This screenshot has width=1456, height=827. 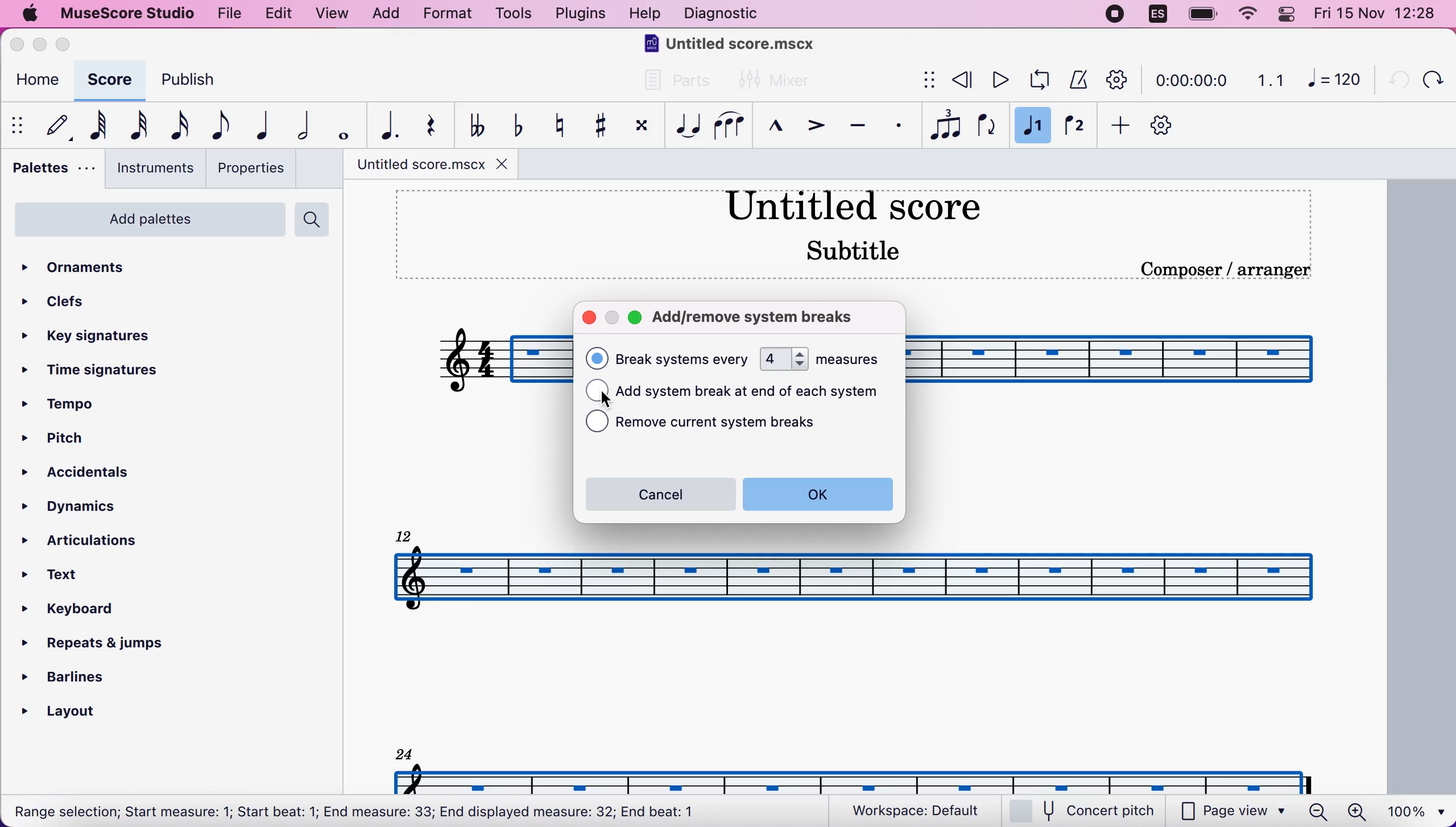 I want to click on ok, so click(x=818, y=494).